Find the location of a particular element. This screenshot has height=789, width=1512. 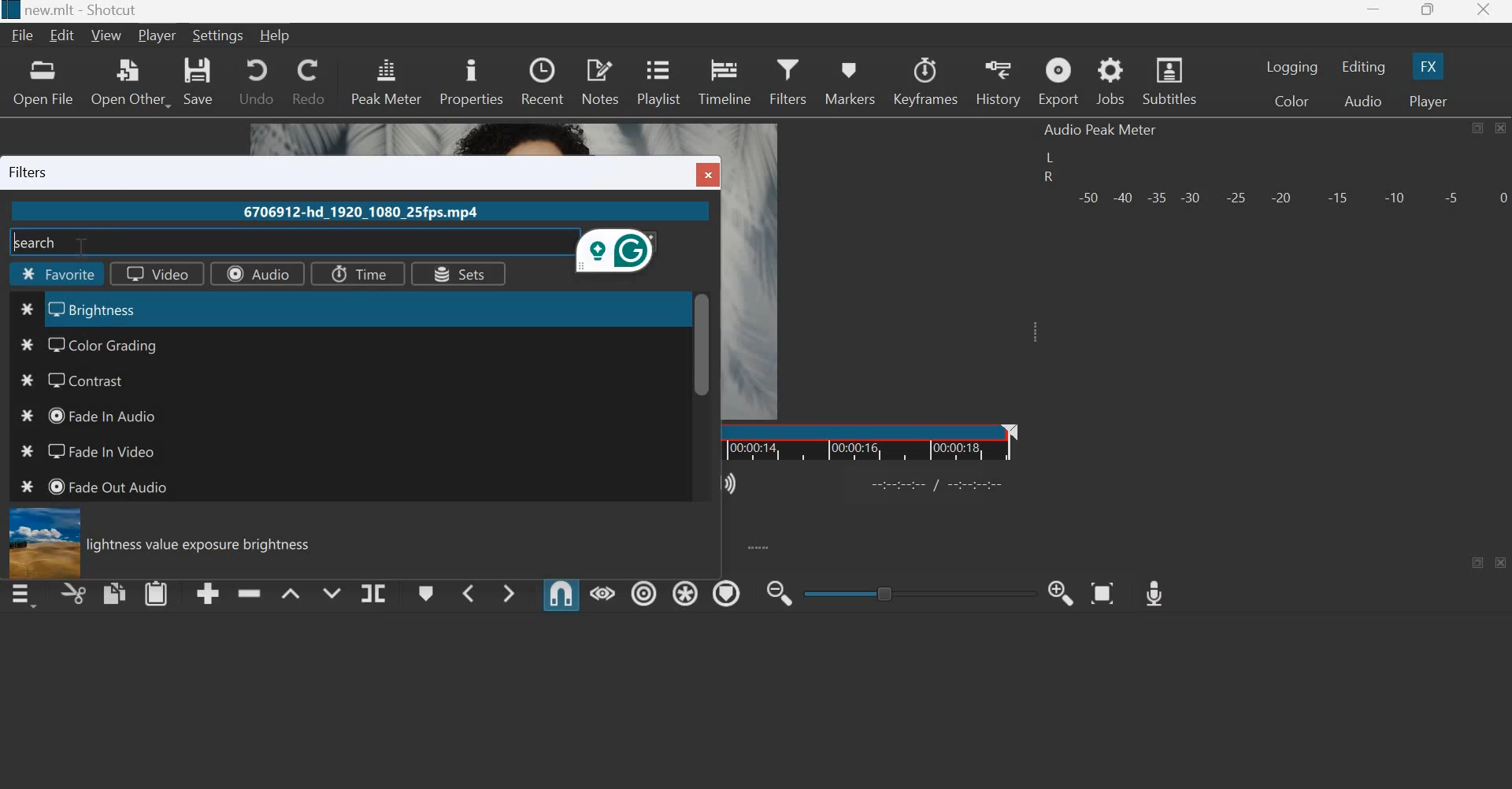

notes is located at coordinates (600, 80).